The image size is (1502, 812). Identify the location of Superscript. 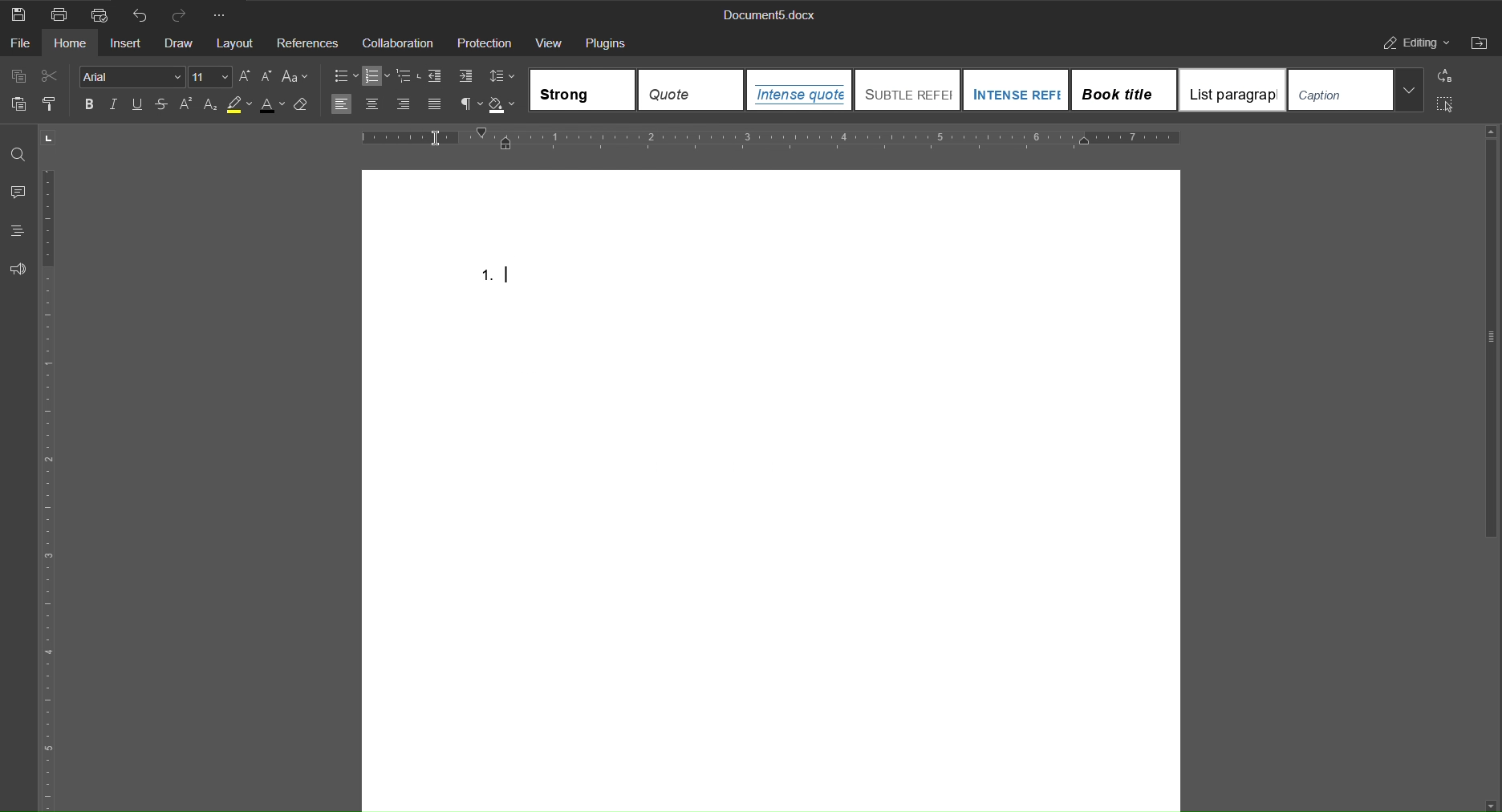
(188, 104).